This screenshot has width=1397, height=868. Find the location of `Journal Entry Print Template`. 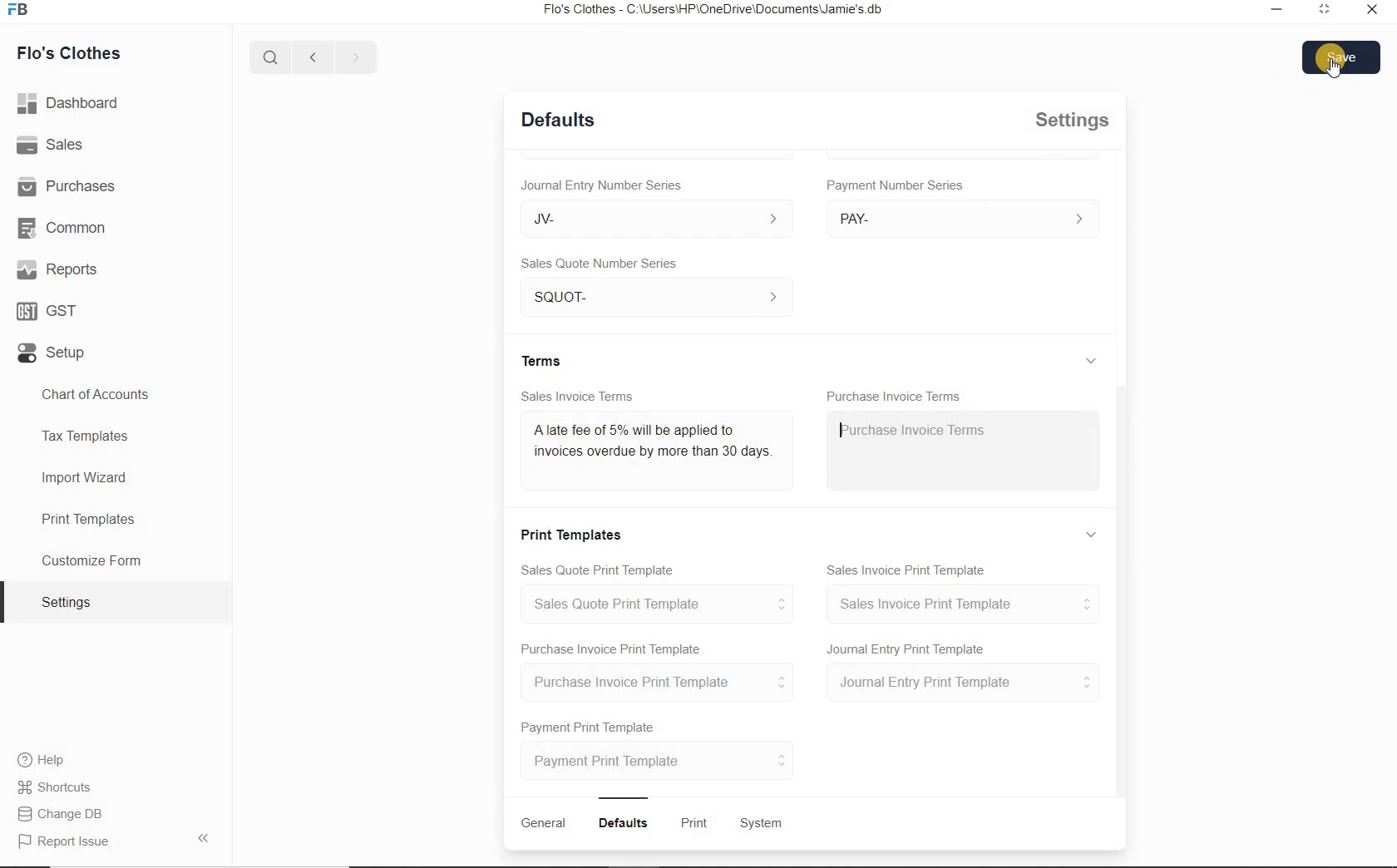

Journal Entry Print Template is located at coordinates (907, 648).